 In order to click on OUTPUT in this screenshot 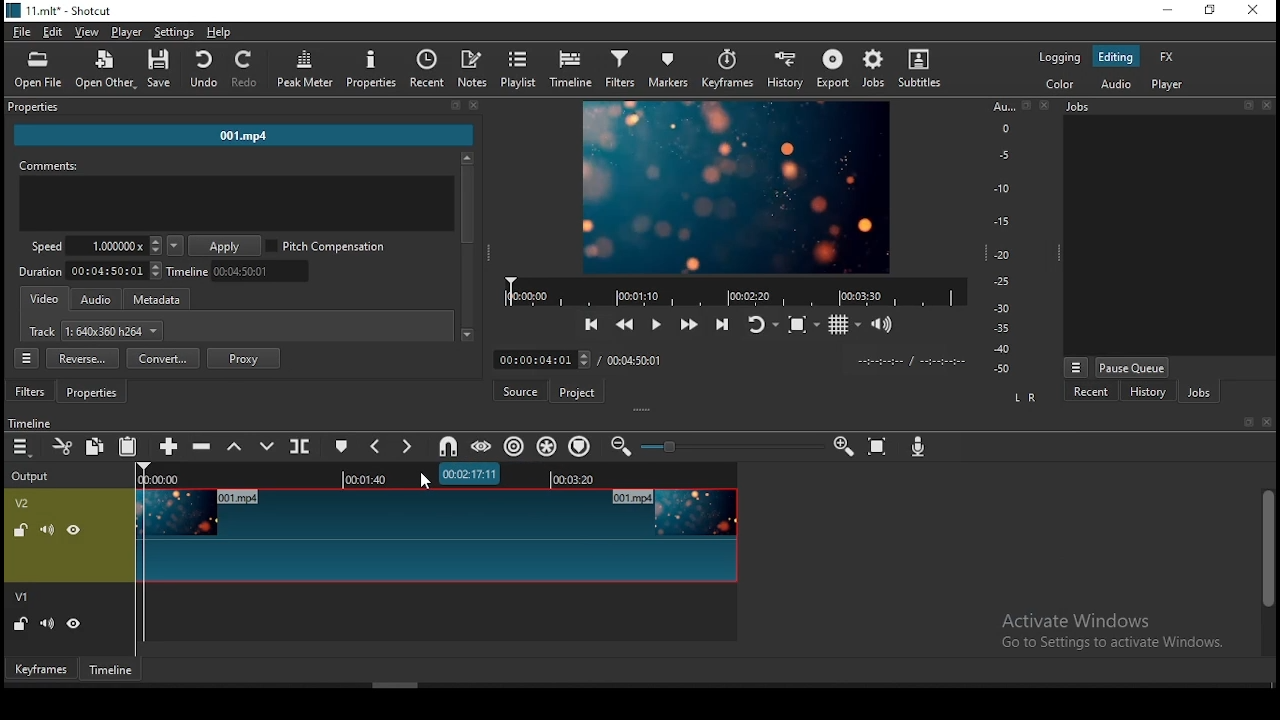, I will do `click(30, 475)`.